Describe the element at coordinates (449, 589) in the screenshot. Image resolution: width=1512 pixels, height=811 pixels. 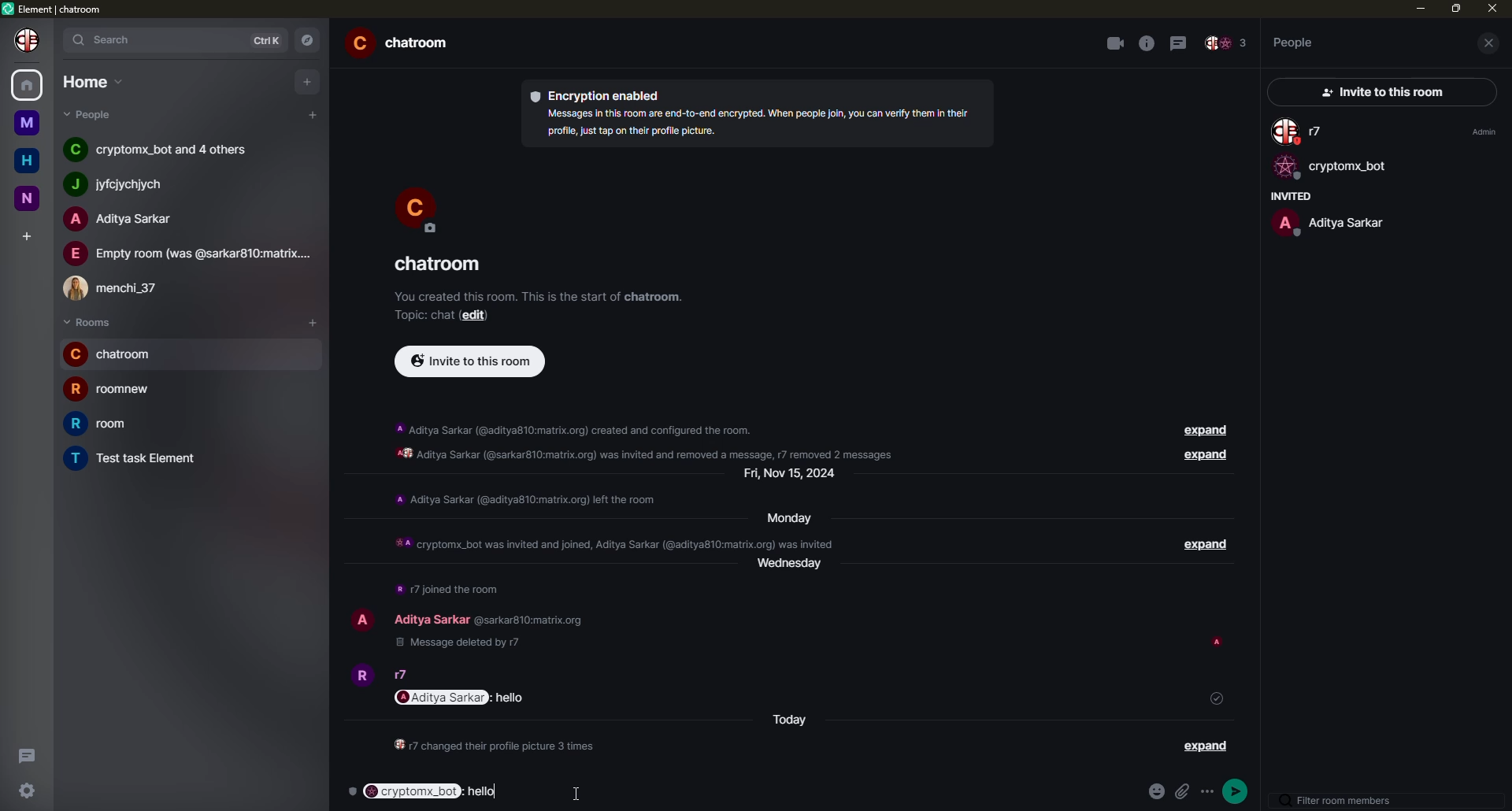
I see `info` at that location.